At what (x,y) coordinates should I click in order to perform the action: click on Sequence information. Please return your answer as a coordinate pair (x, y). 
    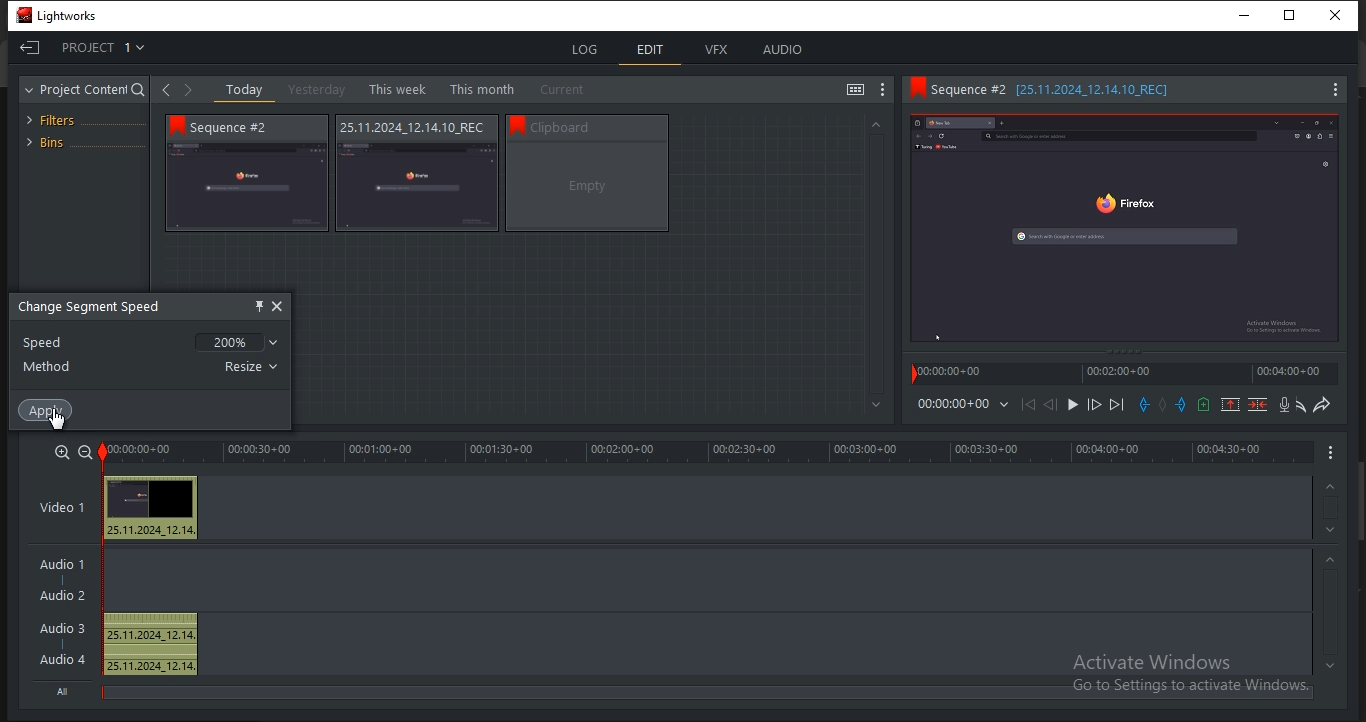
    Looking at the image, I should click on (602, 126).